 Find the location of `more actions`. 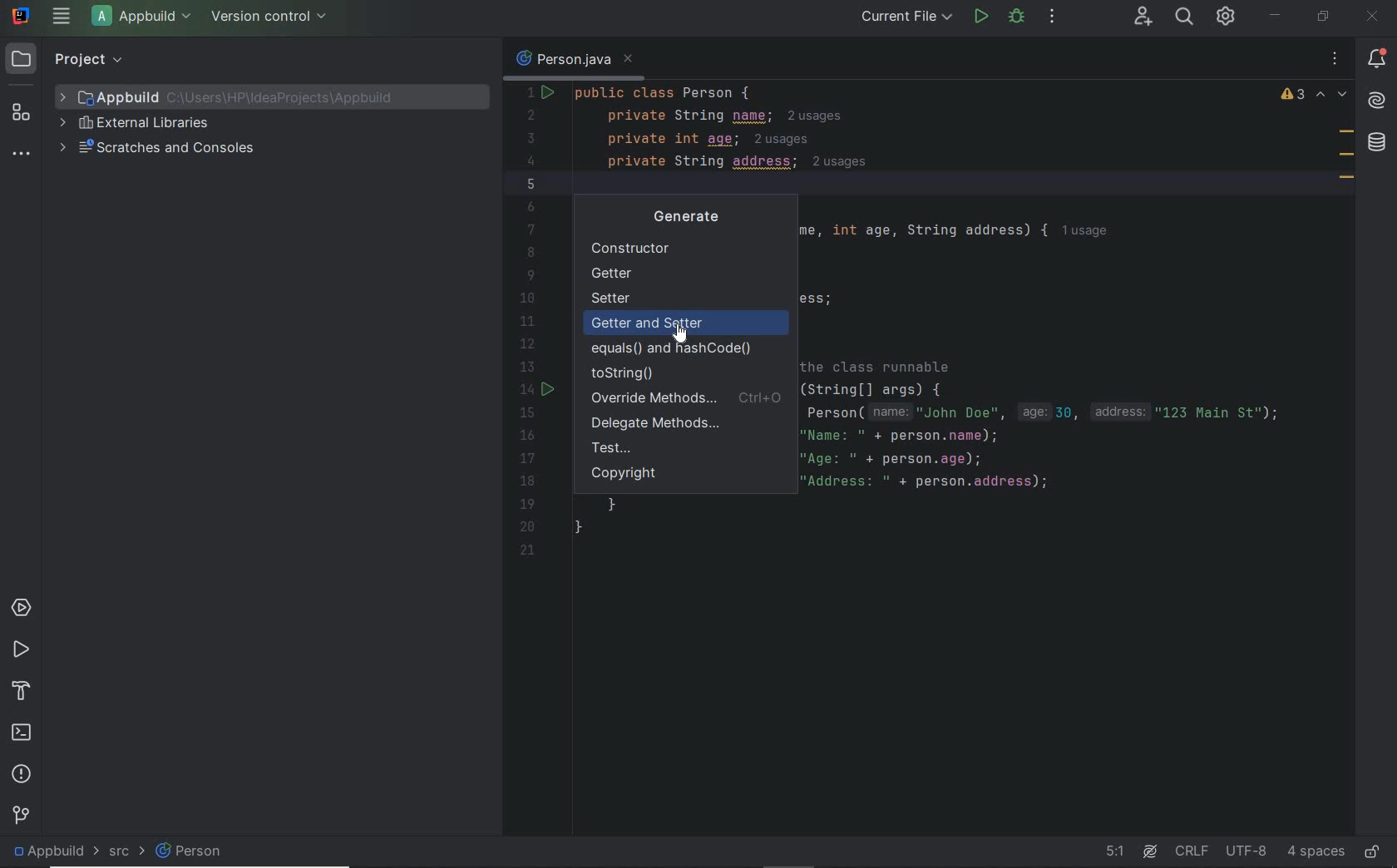

more actions is located at coordinates (1052, 18).